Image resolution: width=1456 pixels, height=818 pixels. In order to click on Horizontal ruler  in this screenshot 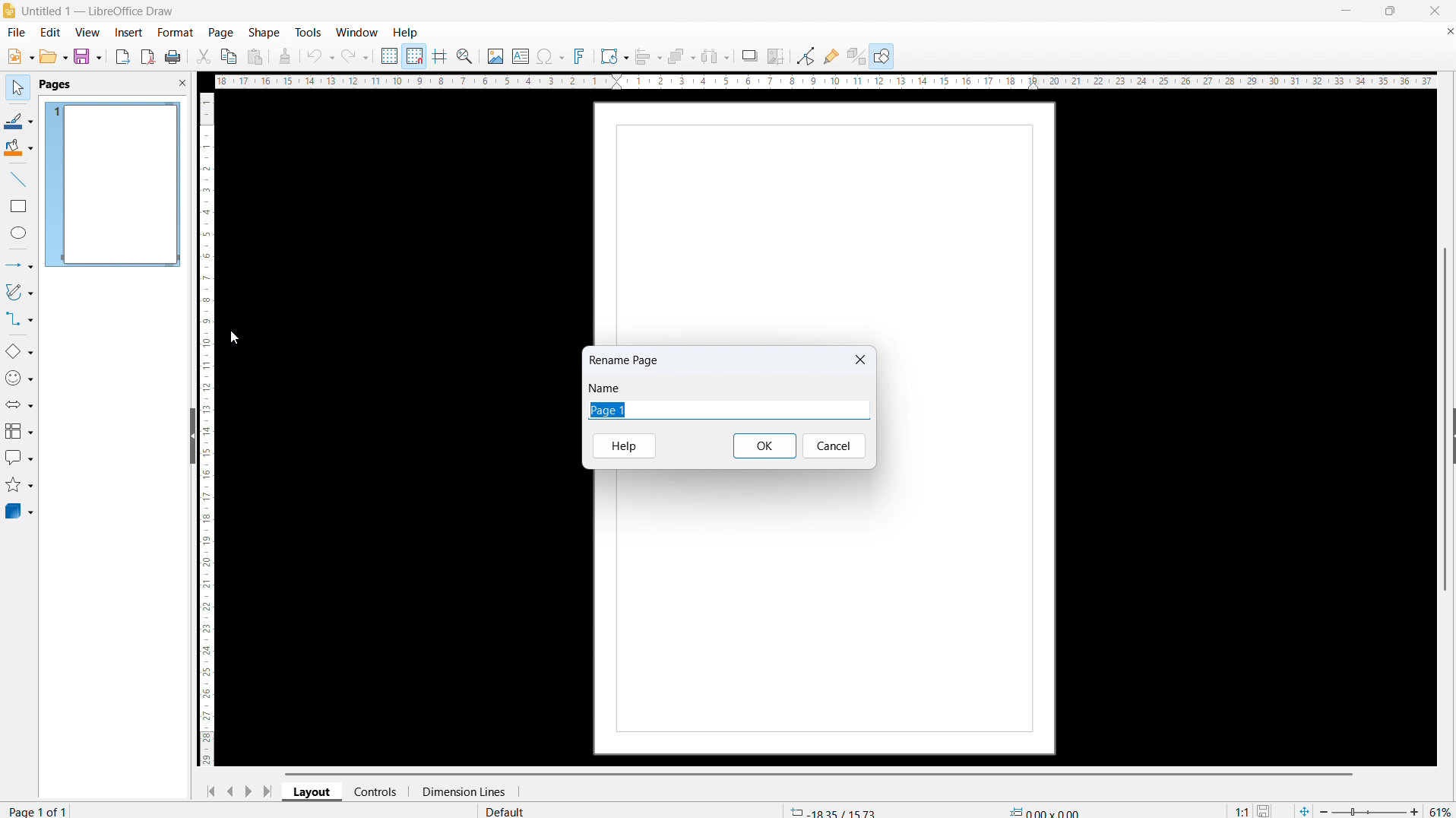, I will do `click(824, 81)`.